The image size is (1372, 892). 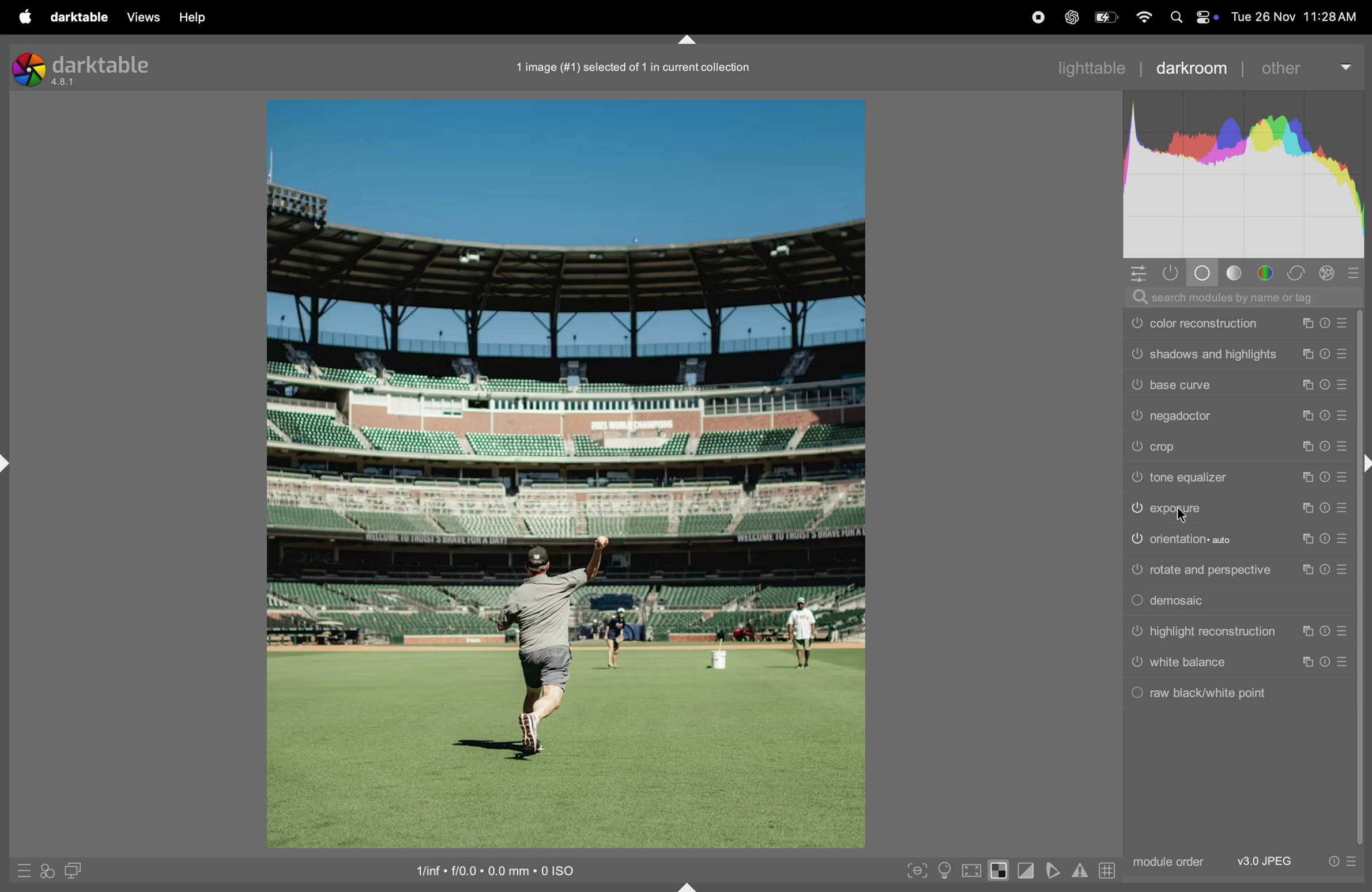 I want to click on toggle high qualiry processing, so click(x=972, y=869).